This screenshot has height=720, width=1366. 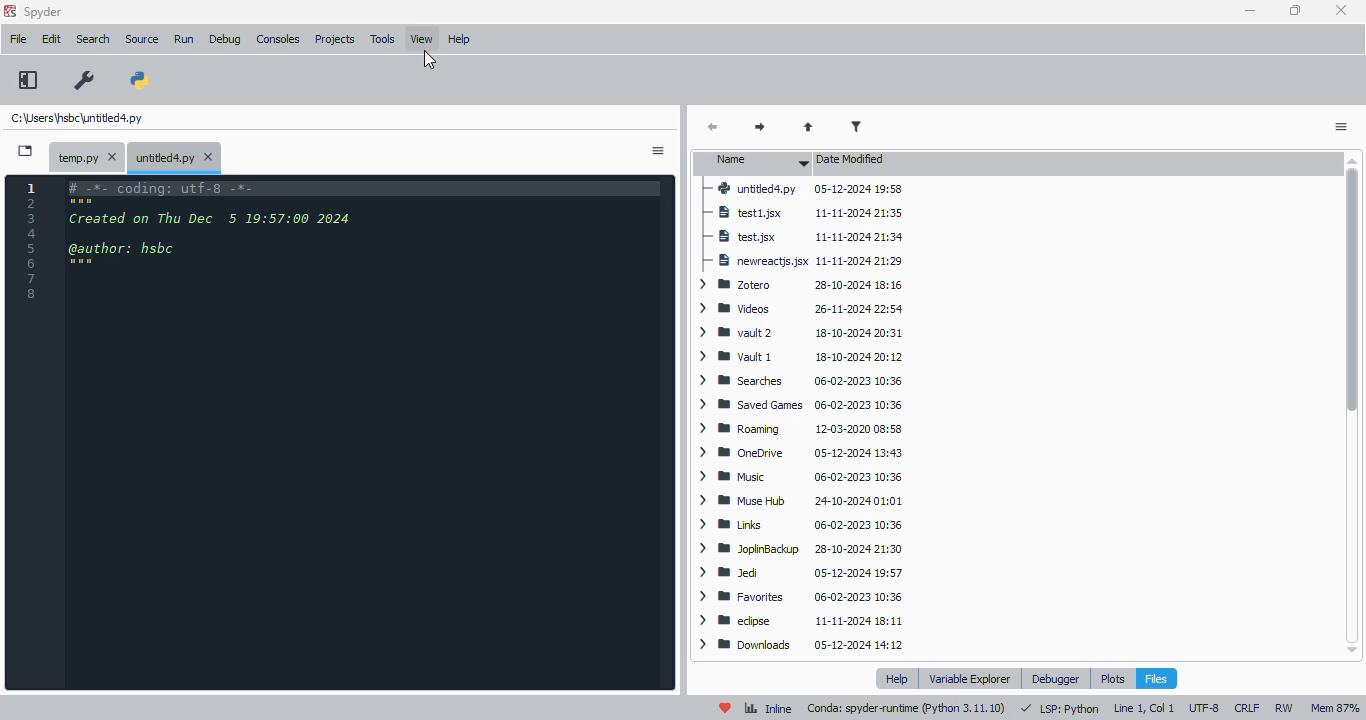 What do you see at coordinates (93, 39) in the screenshot?
I see `search` at bounding box center [93, 39].